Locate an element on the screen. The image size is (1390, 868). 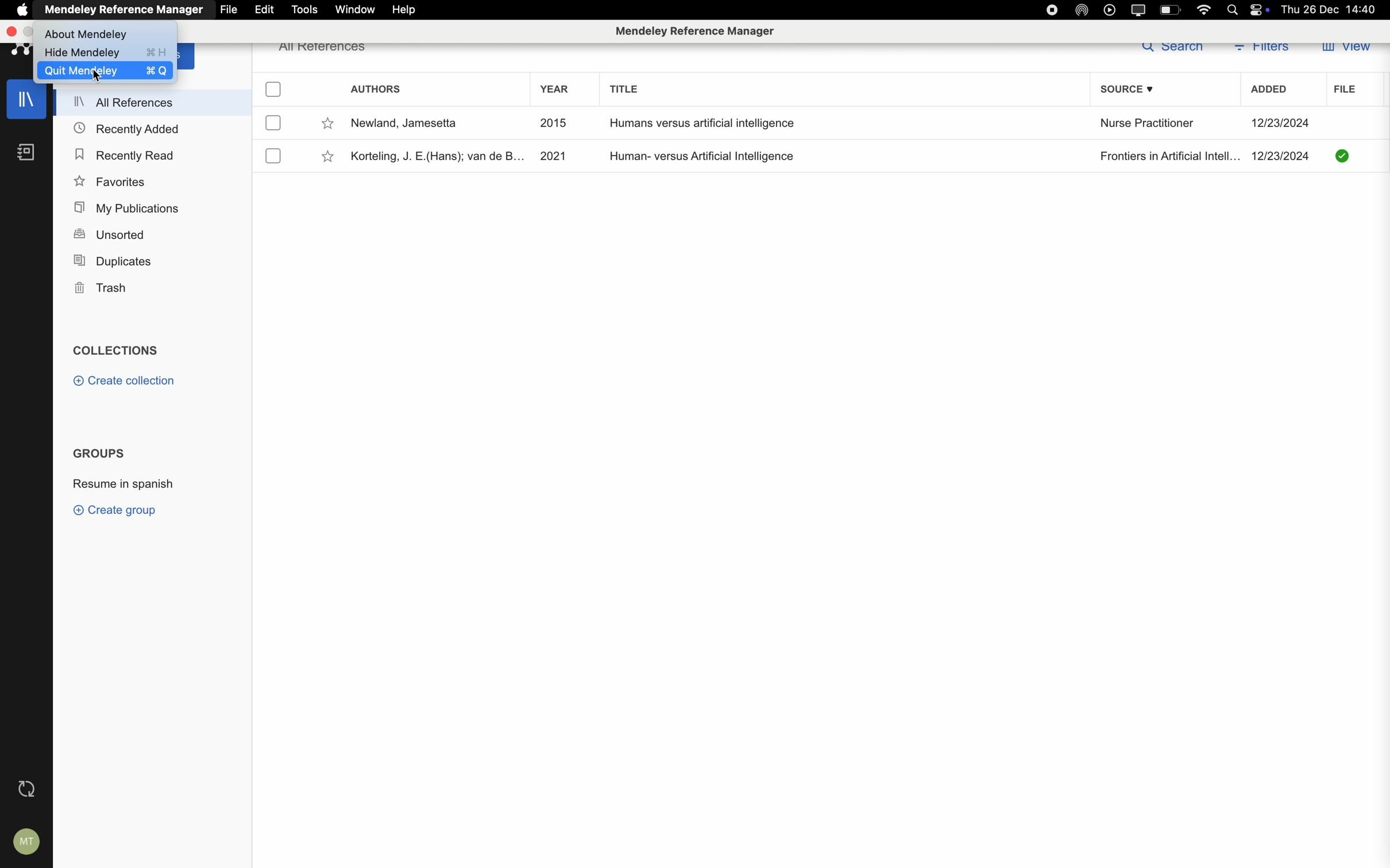
groups is located at coordinates (102, 454).